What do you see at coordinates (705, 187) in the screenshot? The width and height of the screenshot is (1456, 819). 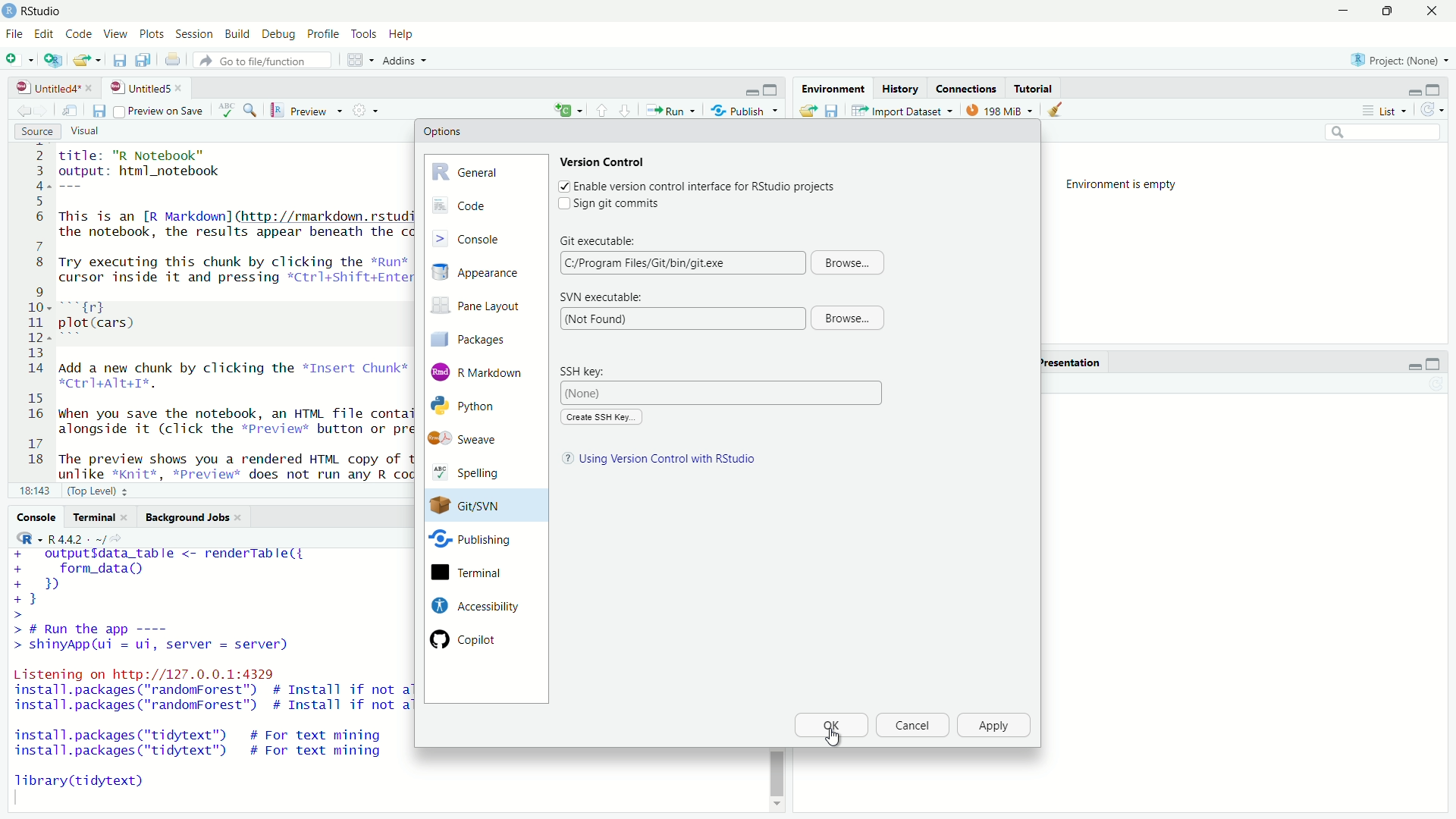 I see `Enable version control interface for RStudio projects` at bounding box center [705, 187].